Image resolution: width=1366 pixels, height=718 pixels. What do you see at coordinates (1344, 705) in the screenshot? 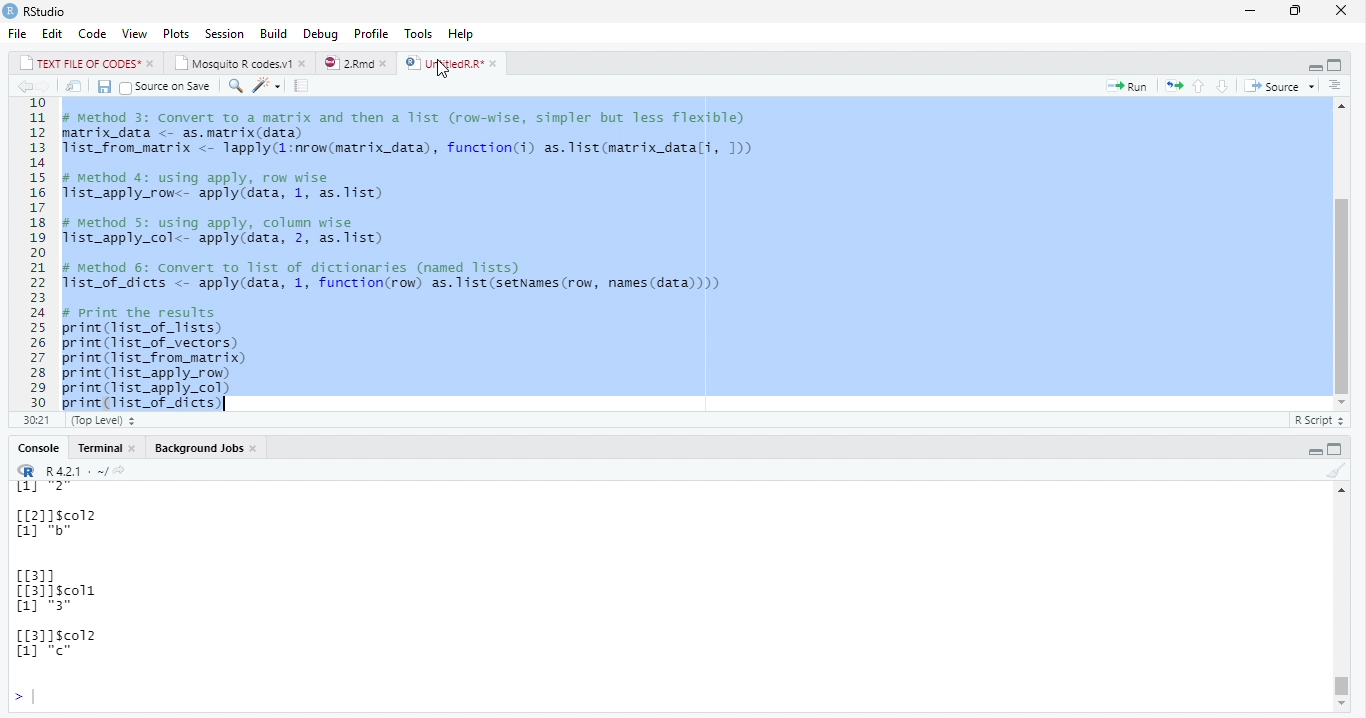
I see `move down` at bounding box center [1344, 705].